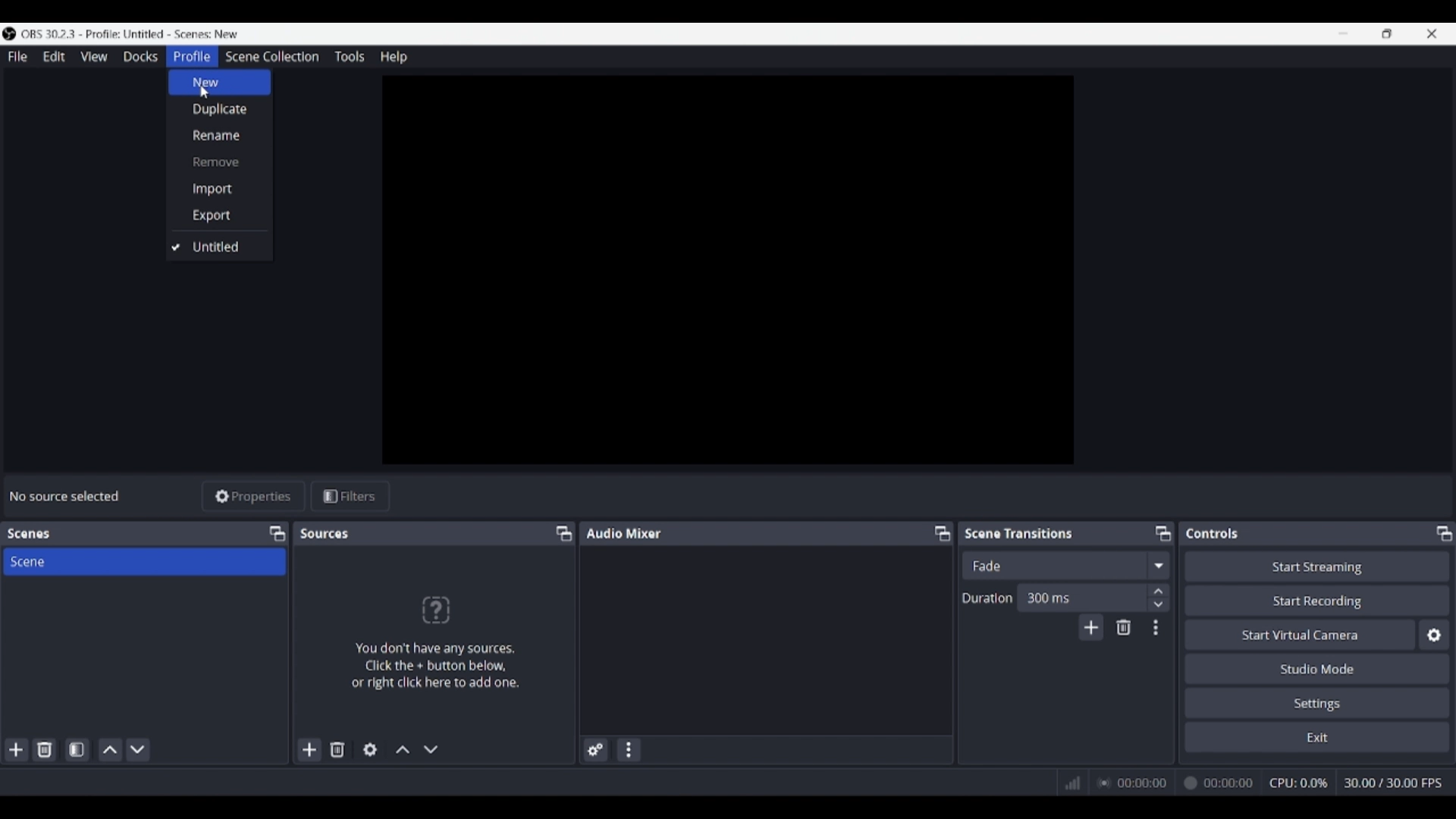 The image size is (1456, 819). Describe the element at coordinates (206, 96) in the screenshot. I see `Cursor` at that location.